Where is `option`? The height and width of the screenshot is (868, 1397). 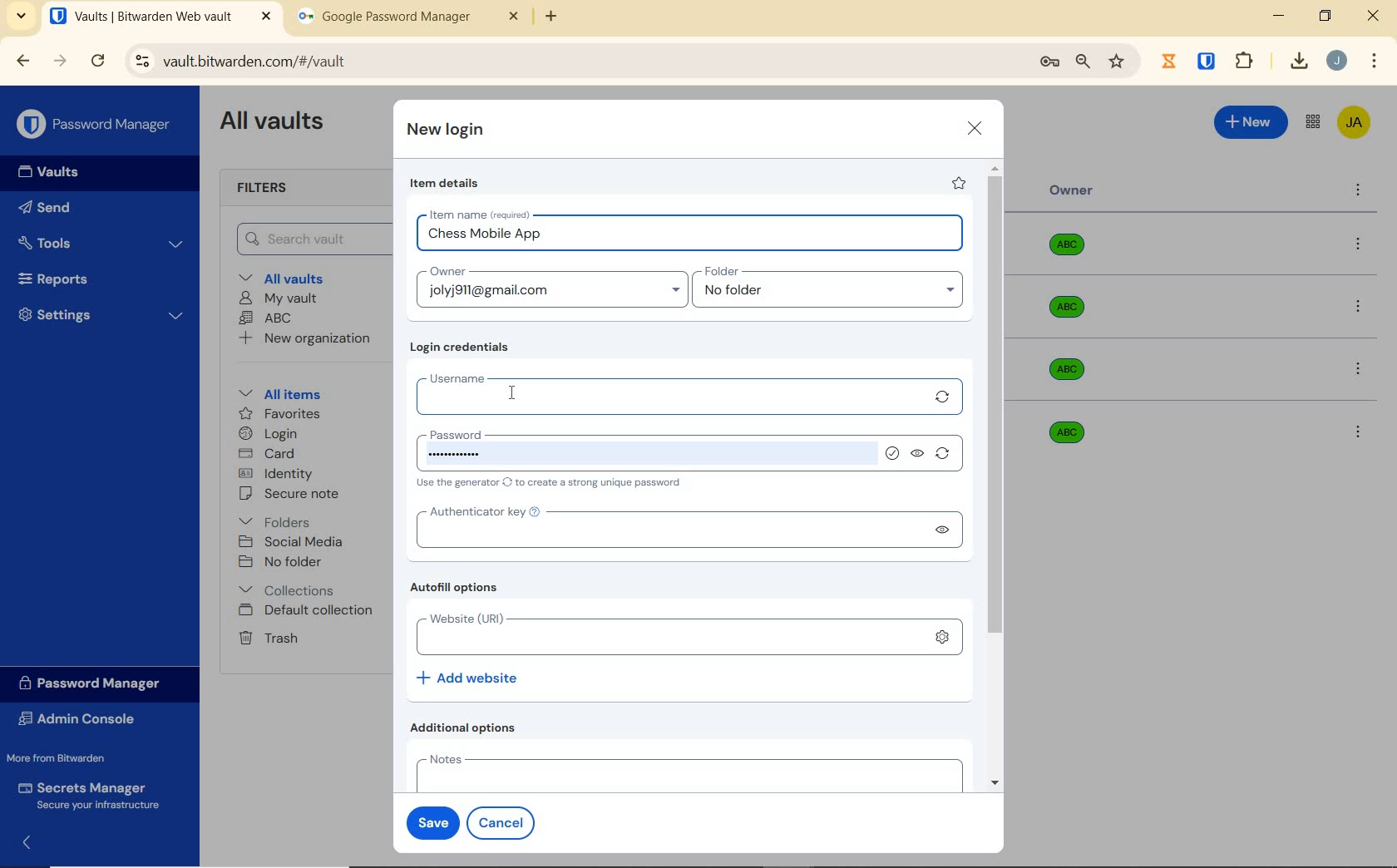
option is located at coordinates (1357, 431).